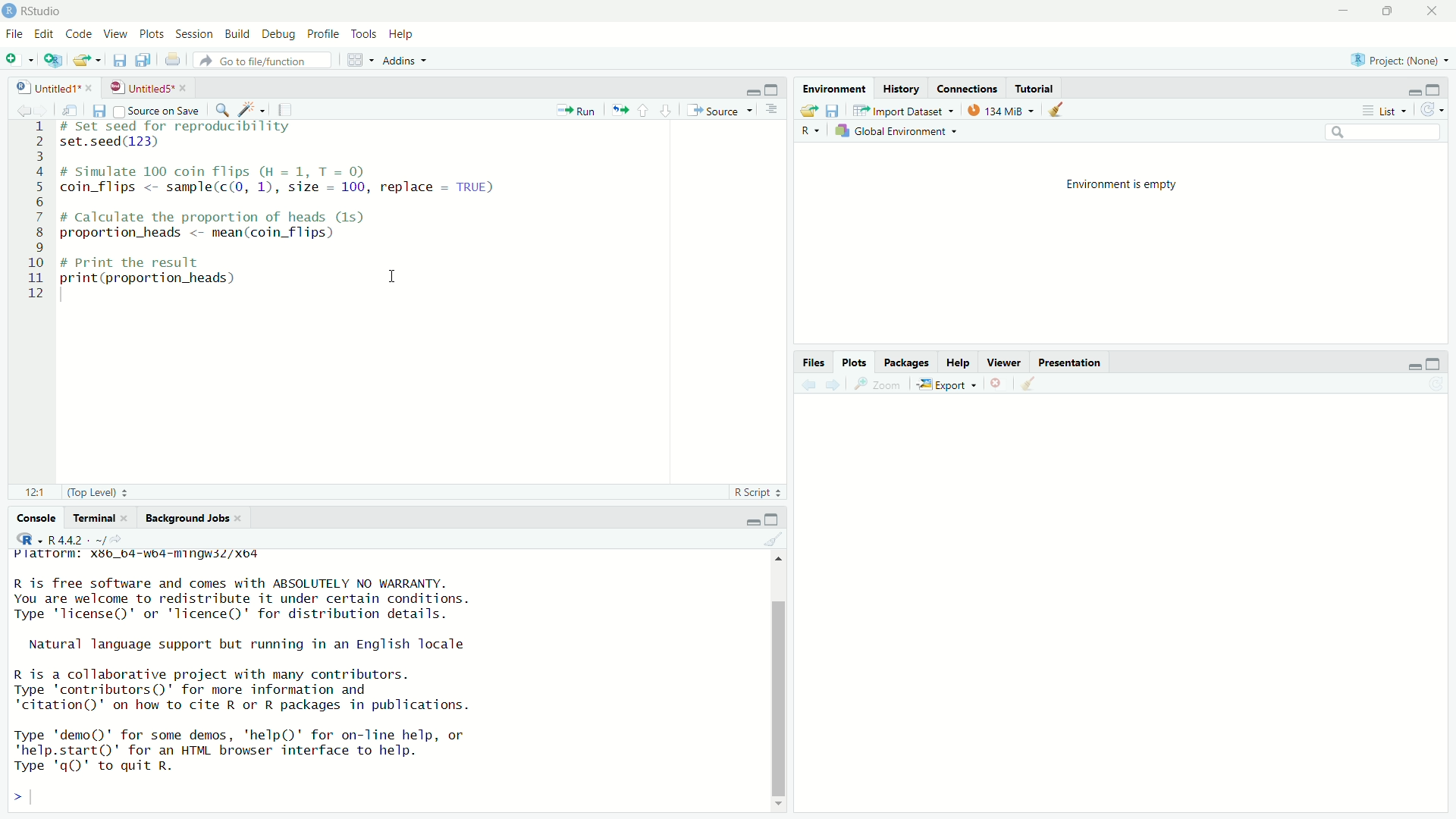 The image size is (1456, 819). What do you see at coordinates (68, 109) in the screenshot?
I see `show in new window` at bounding box center [68, 109].